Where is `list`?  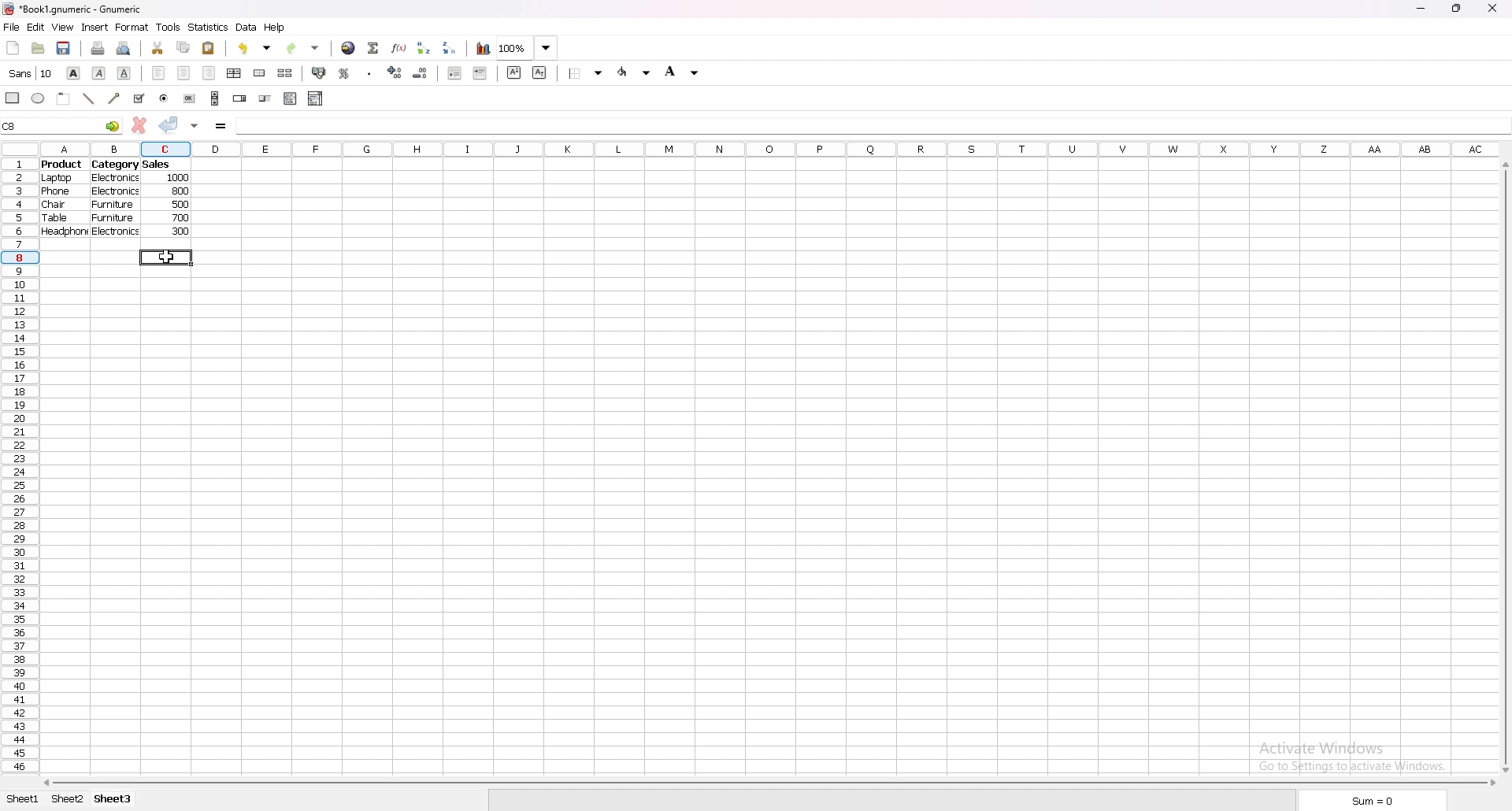
list is located at coordinates (290, 98).